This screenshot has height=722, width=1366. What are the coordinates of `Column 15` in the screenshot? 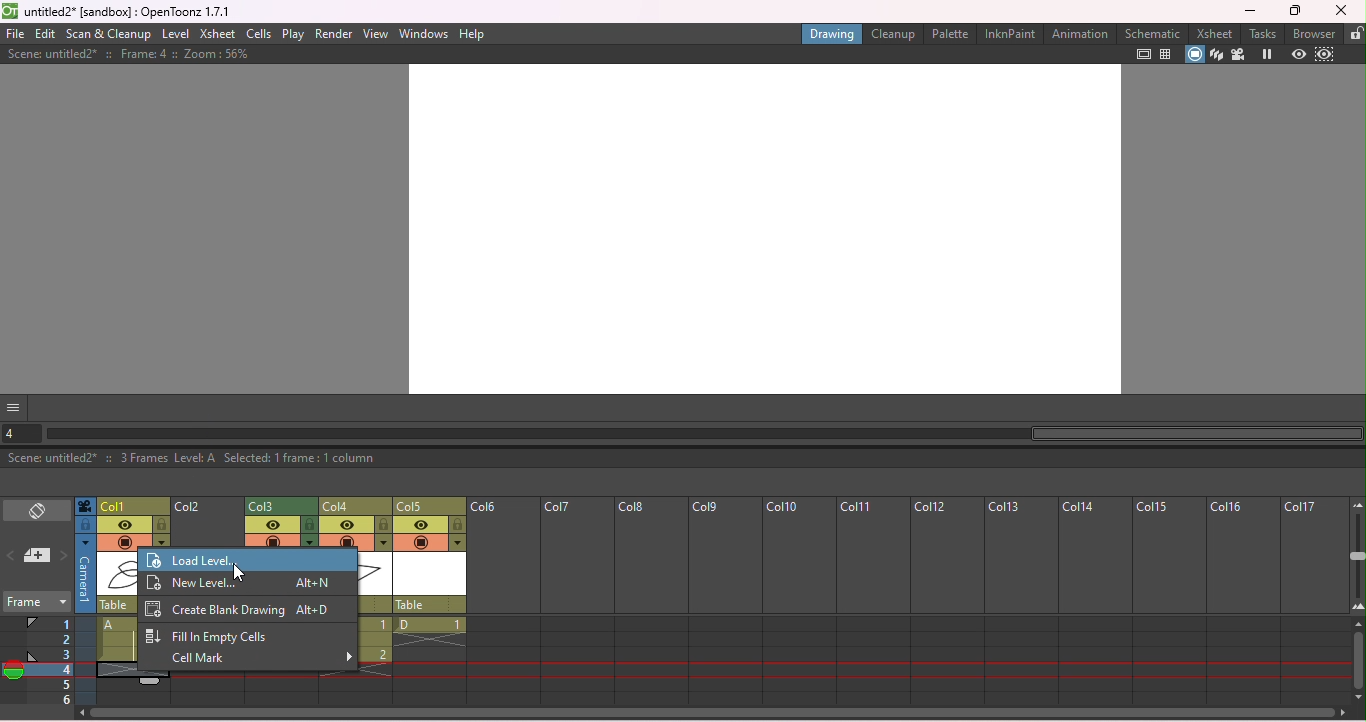 It's located at (1165, 601).